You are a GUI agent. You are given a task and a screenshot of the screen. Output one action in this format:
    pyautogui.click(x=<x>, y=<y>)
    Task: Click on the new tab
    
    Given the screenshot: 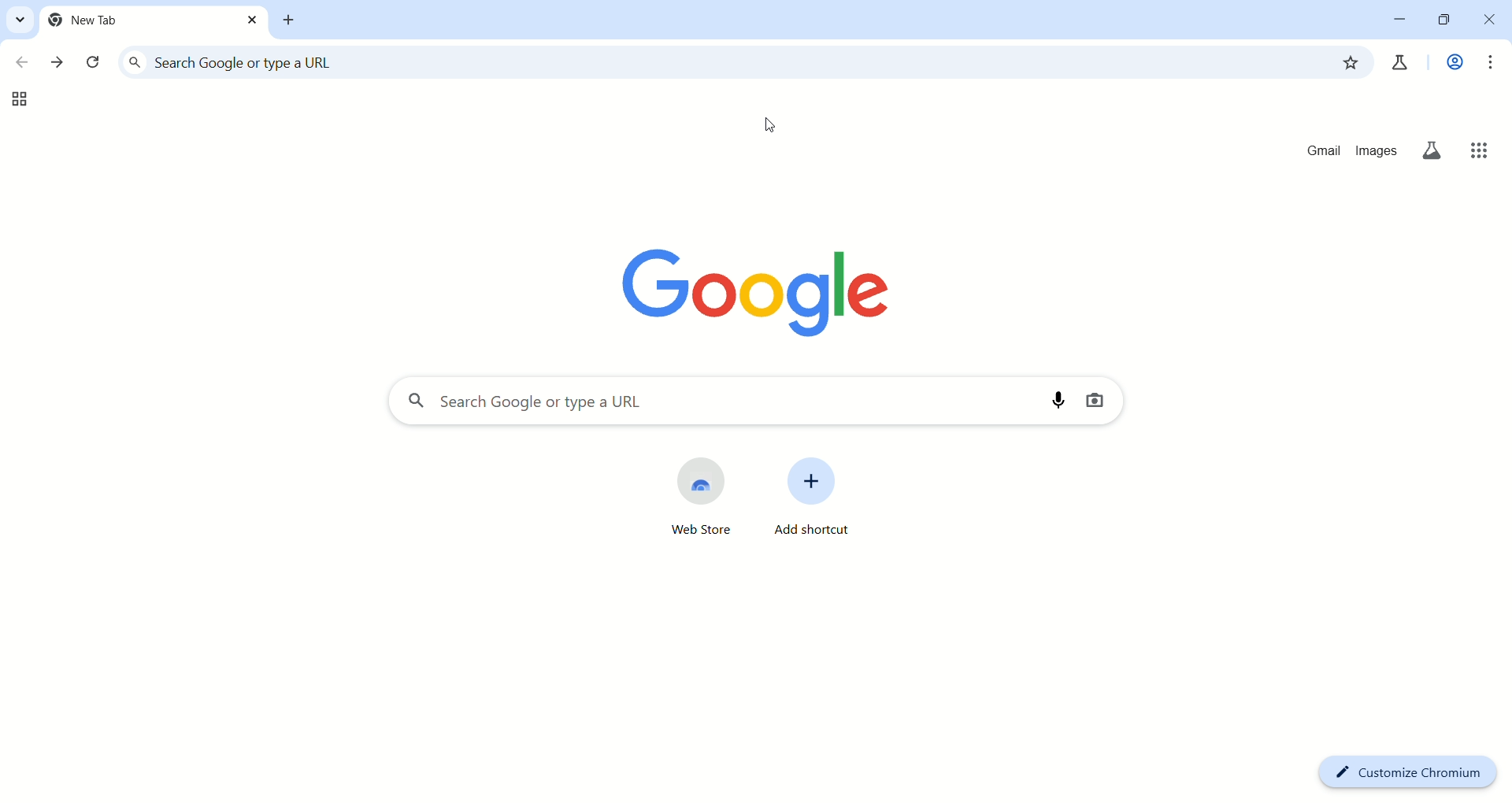 What is the action you would take?
    pyautogui.click(x=291, y=20)
    